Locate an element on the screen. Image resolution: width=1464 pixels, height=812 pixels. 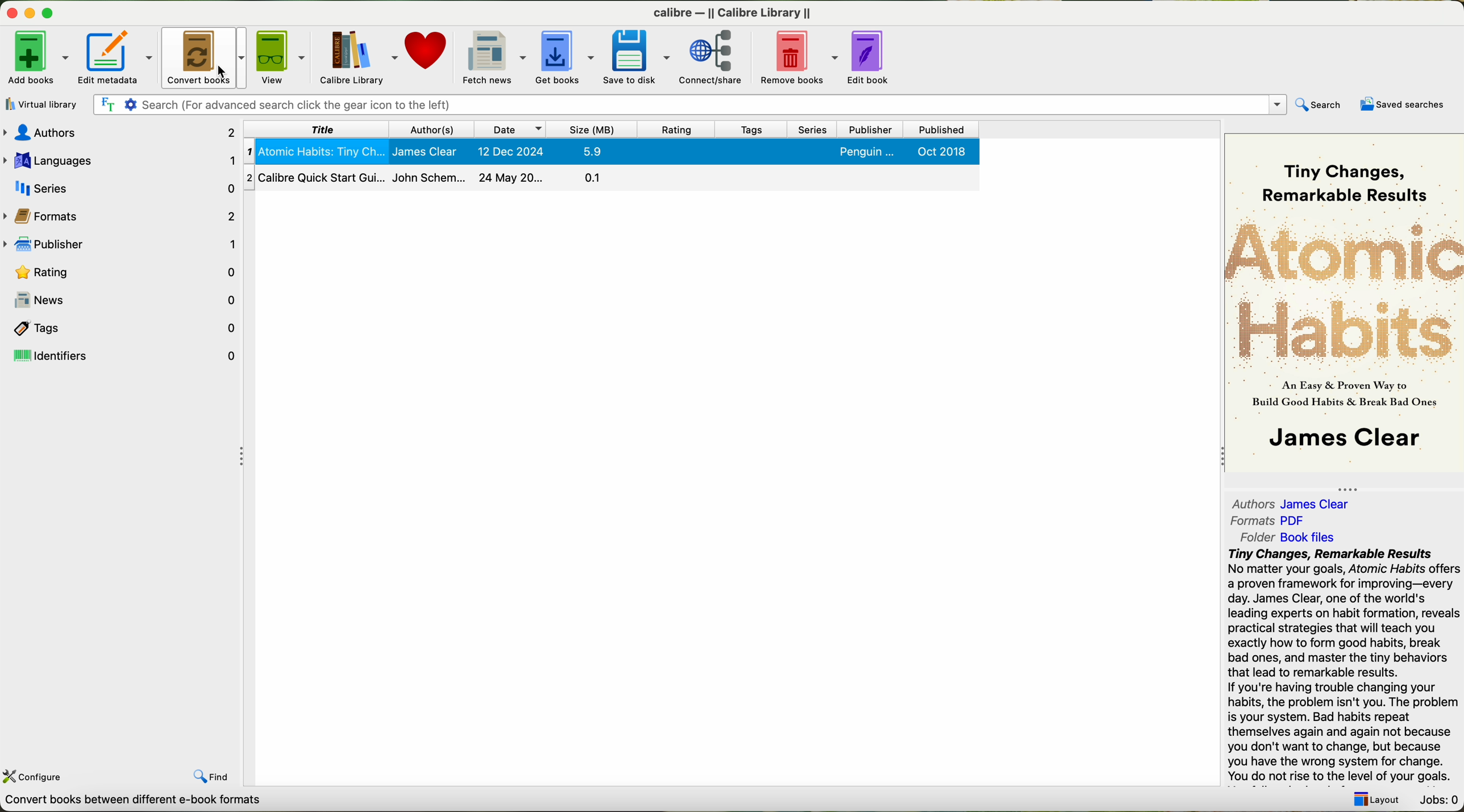
find is located at coordinates (211, 776).